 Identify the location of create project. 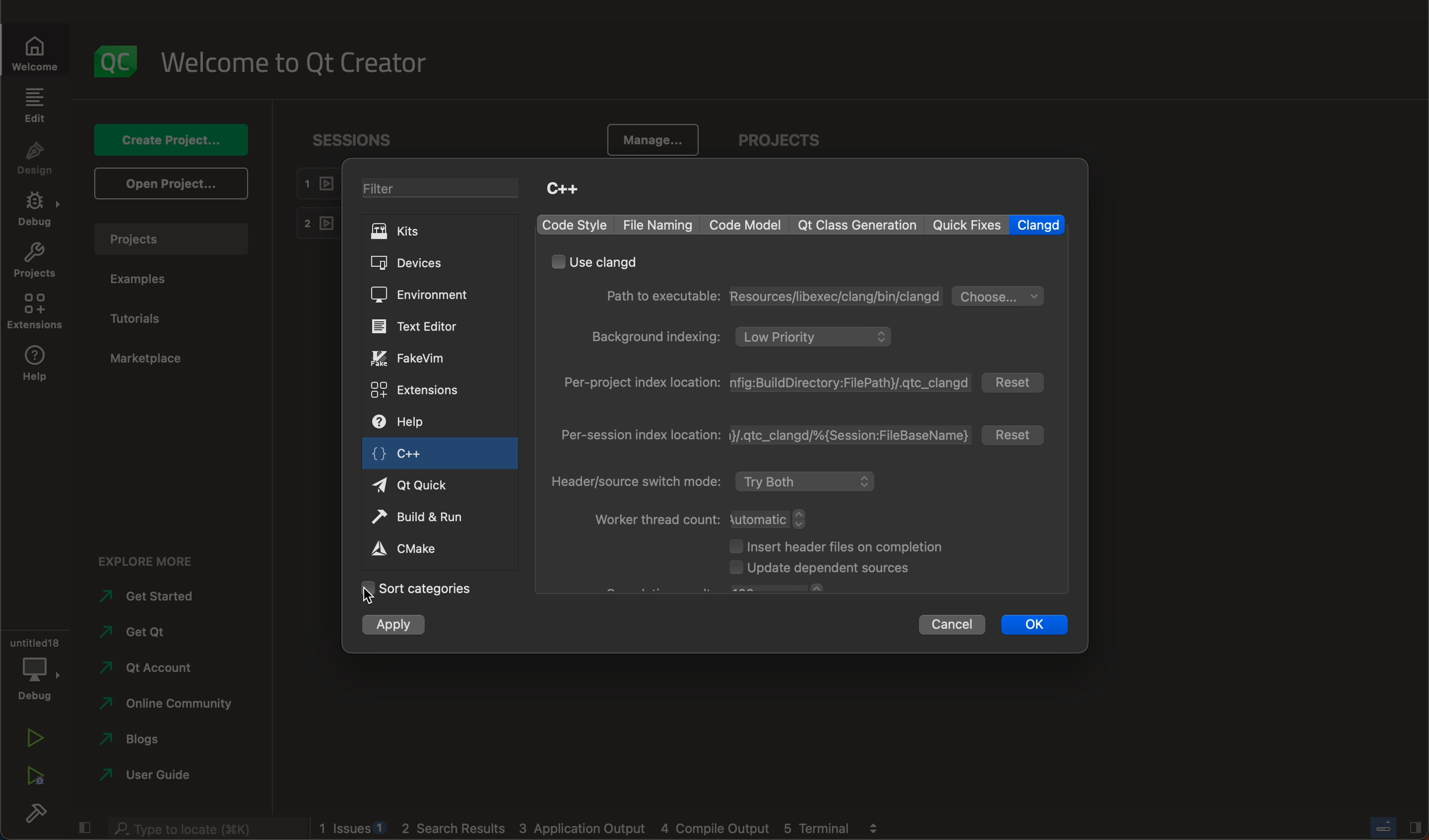
(171, 141).